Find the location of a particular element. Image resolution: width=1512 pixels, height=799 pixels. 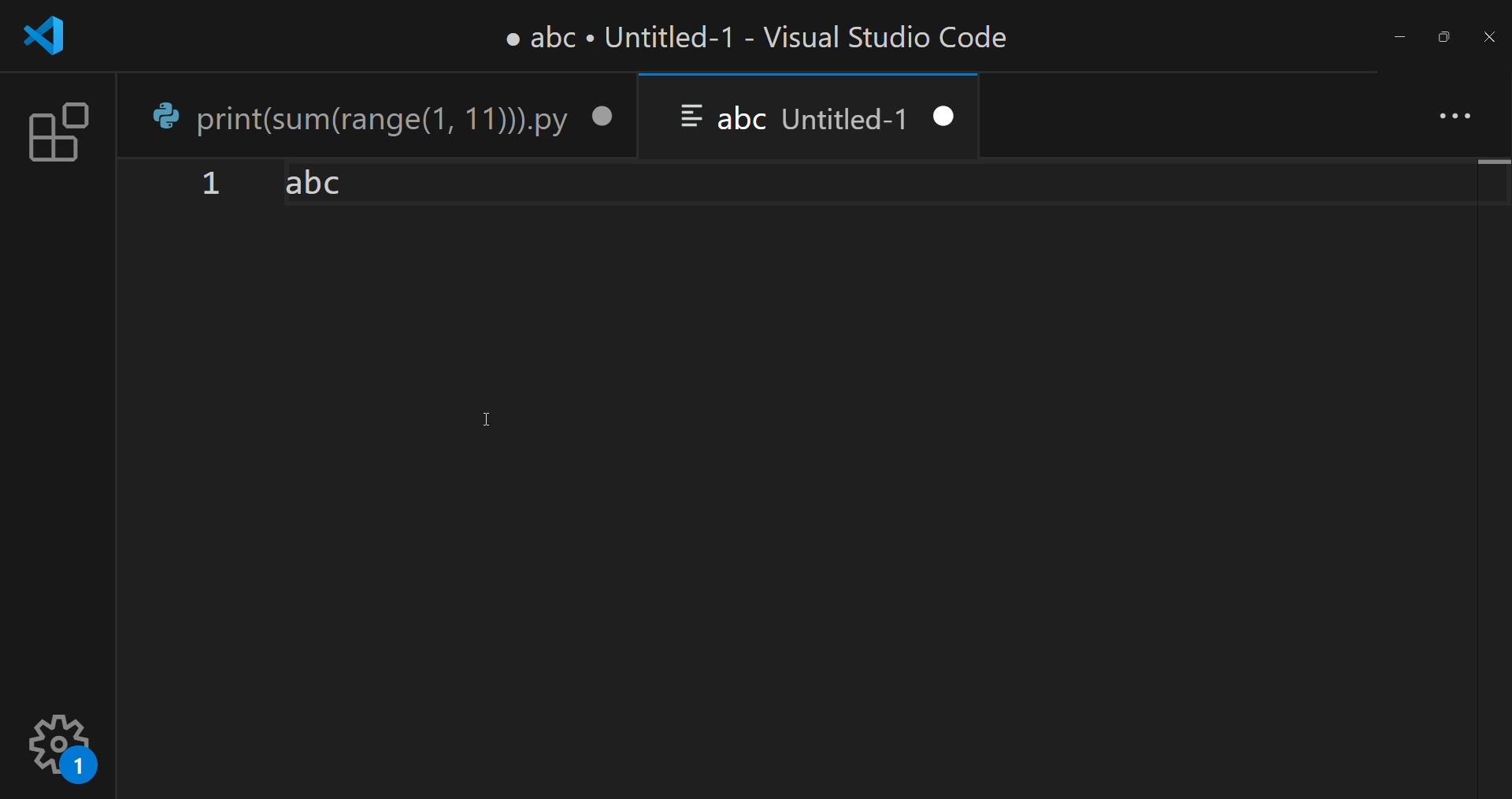

1 is located at coordinates (212, 184).